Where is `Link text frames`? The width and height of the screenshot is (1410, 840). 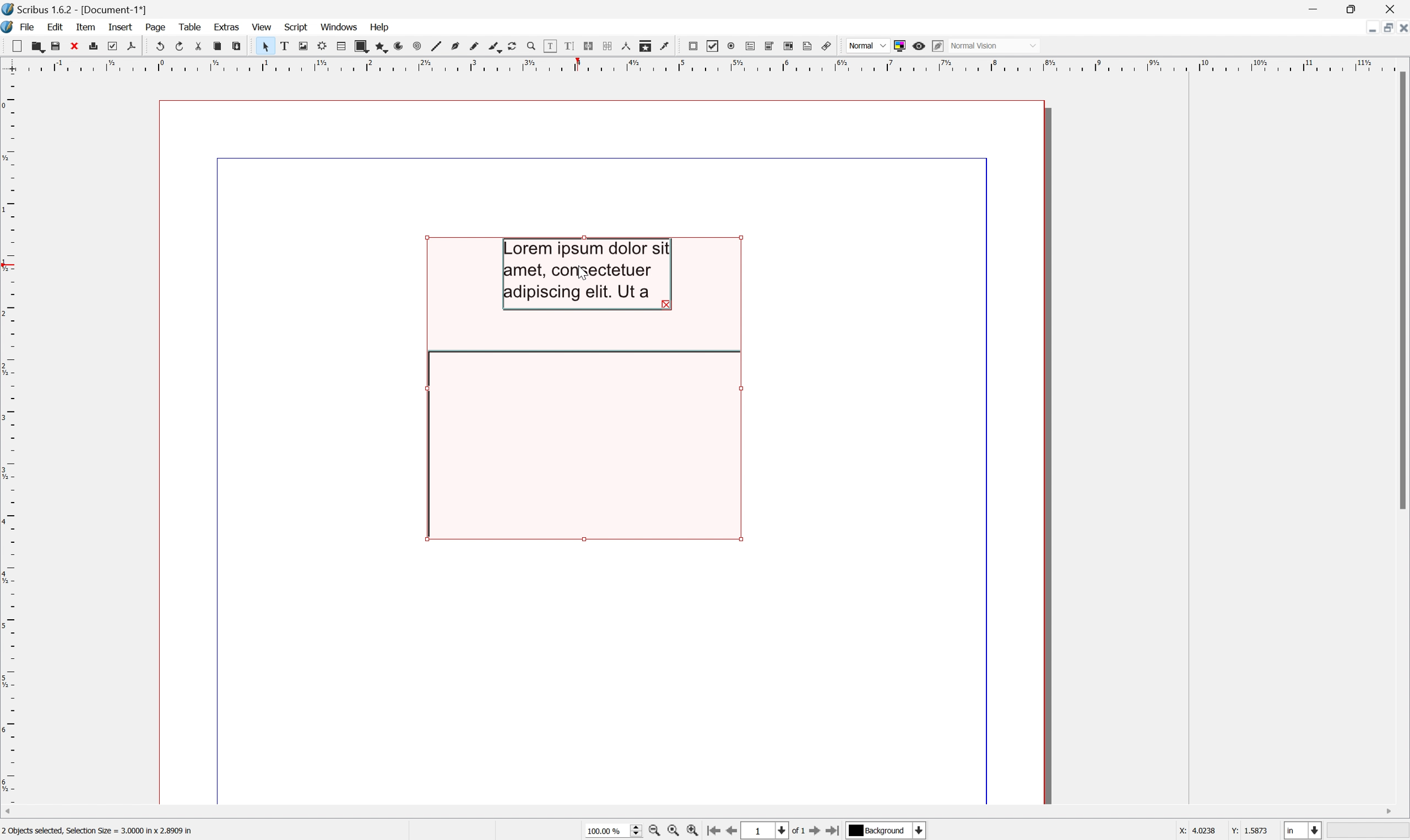
Link text frames is located at coordinates (587, 44).